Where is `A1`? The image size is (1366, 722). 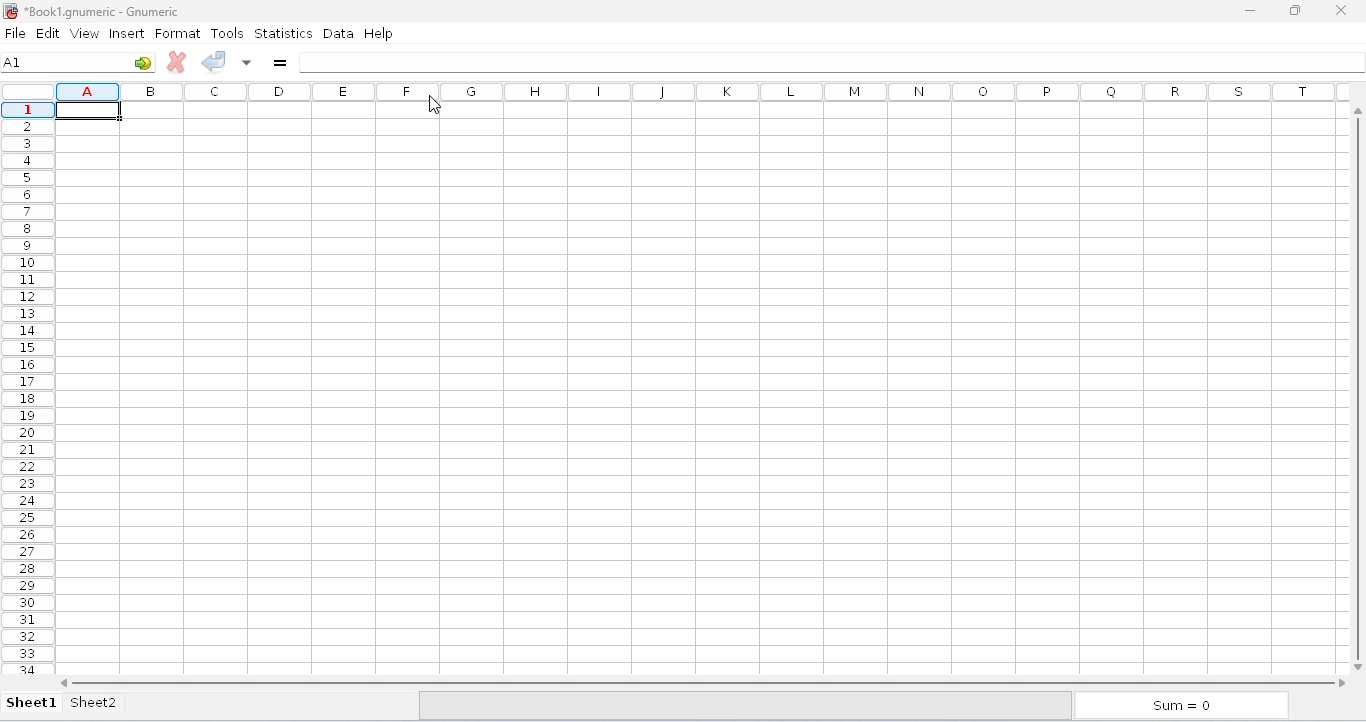
A1 is located at coordinates (59, 62).